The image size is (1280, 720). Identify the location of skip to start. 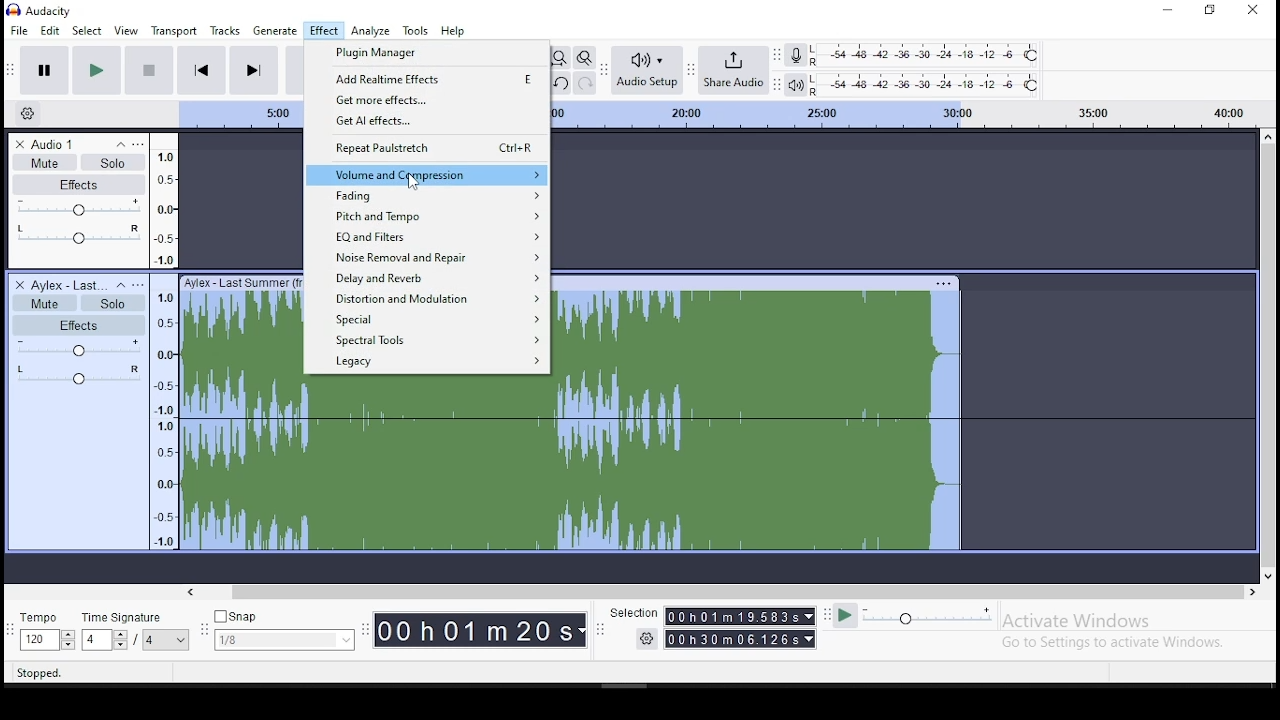
(202, 69).